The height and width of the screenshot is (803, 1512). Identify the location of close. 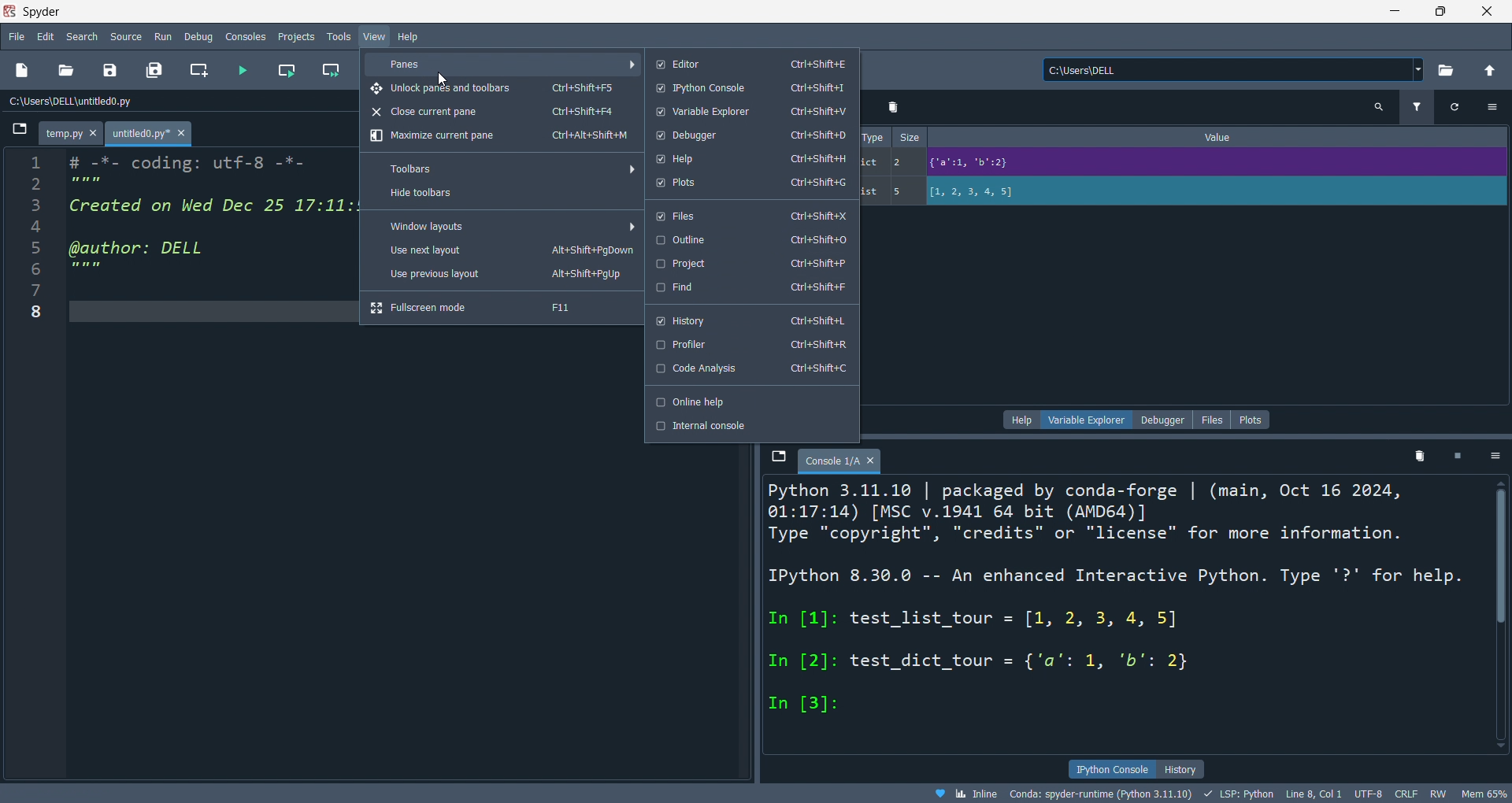
(1493, 12).